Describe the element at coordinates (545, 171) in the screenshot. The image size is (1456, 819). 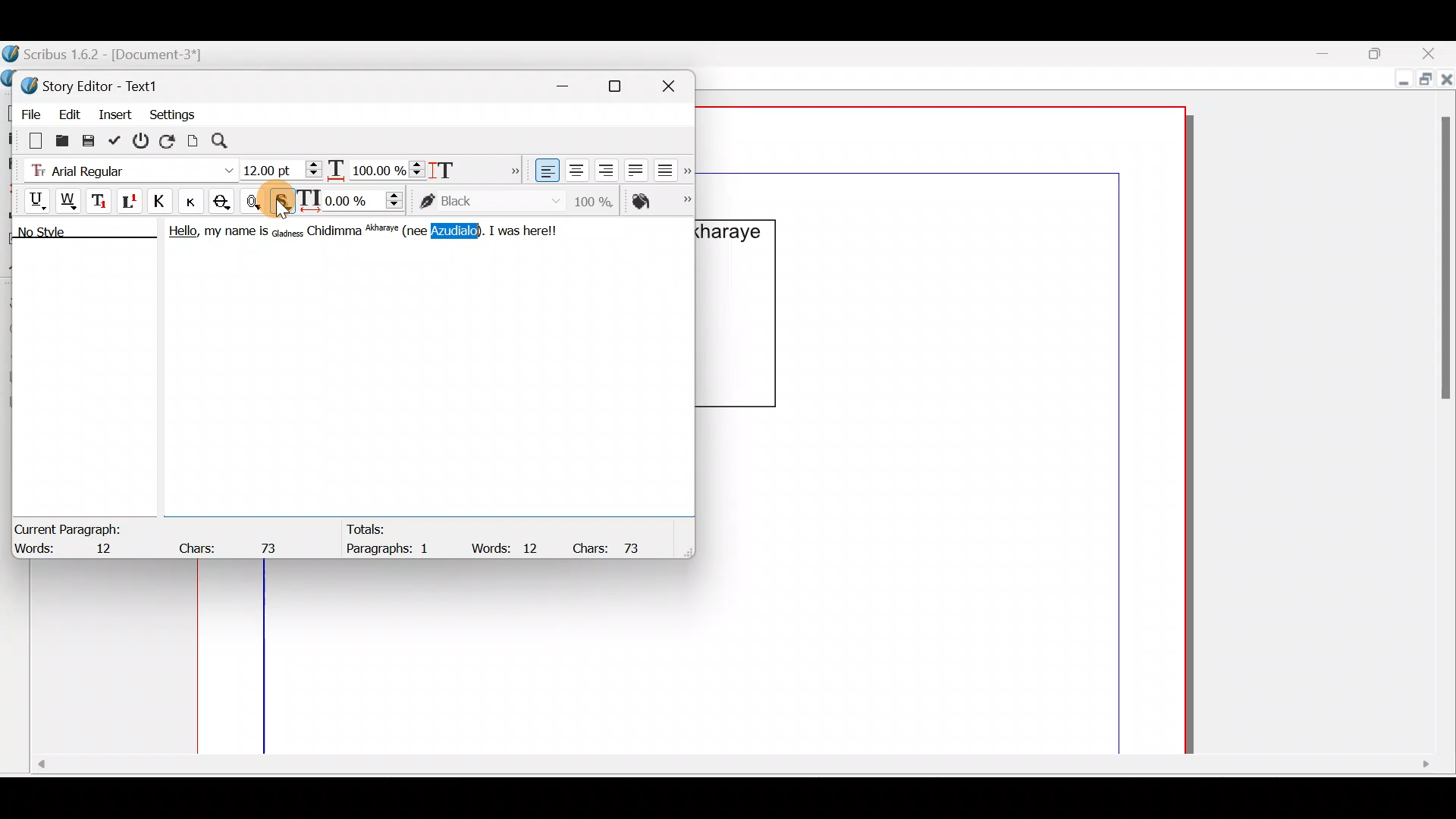
I see `Align text left` at that location.